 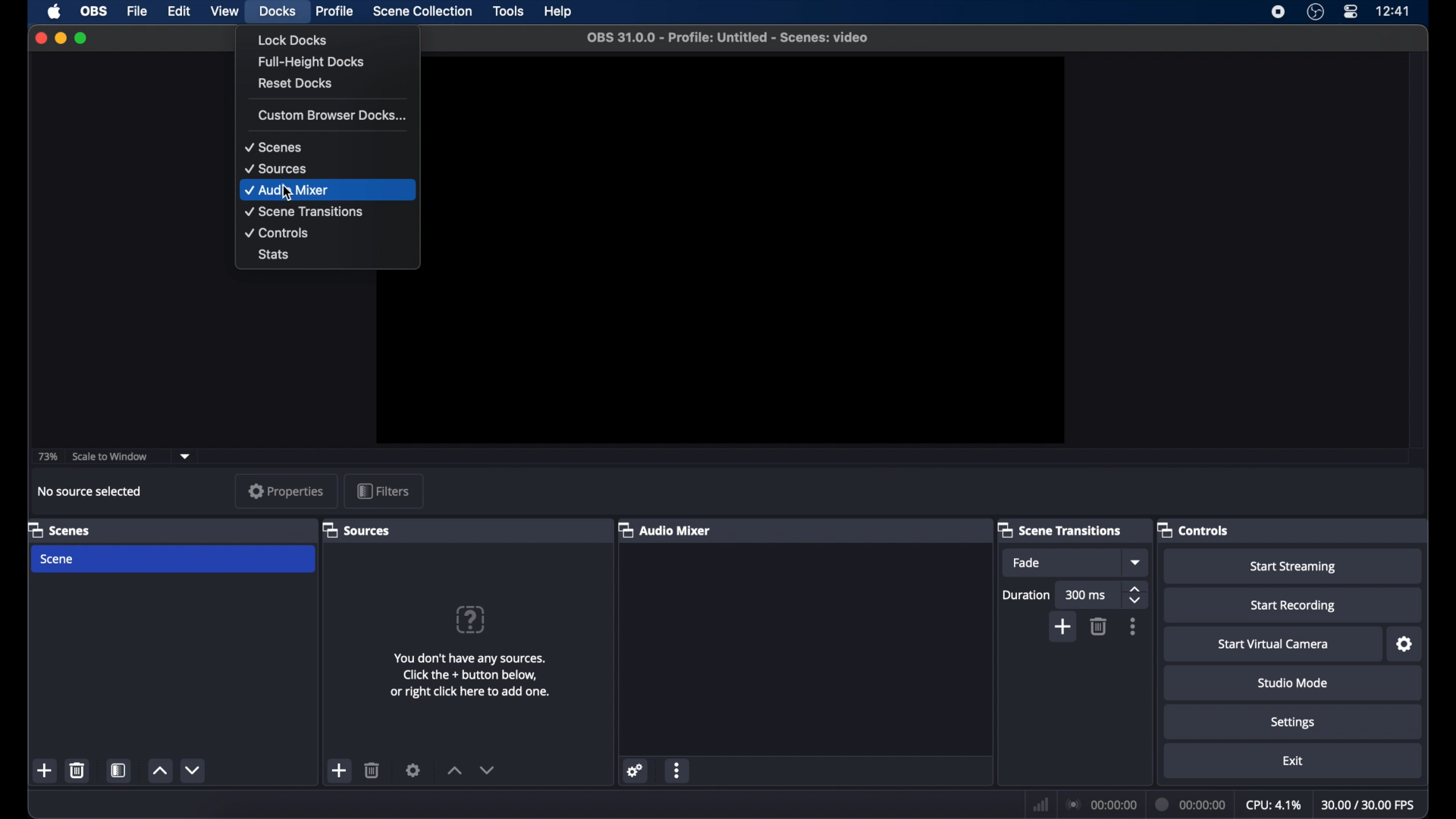 I want to click on decrement, so click(x=488, y=770).